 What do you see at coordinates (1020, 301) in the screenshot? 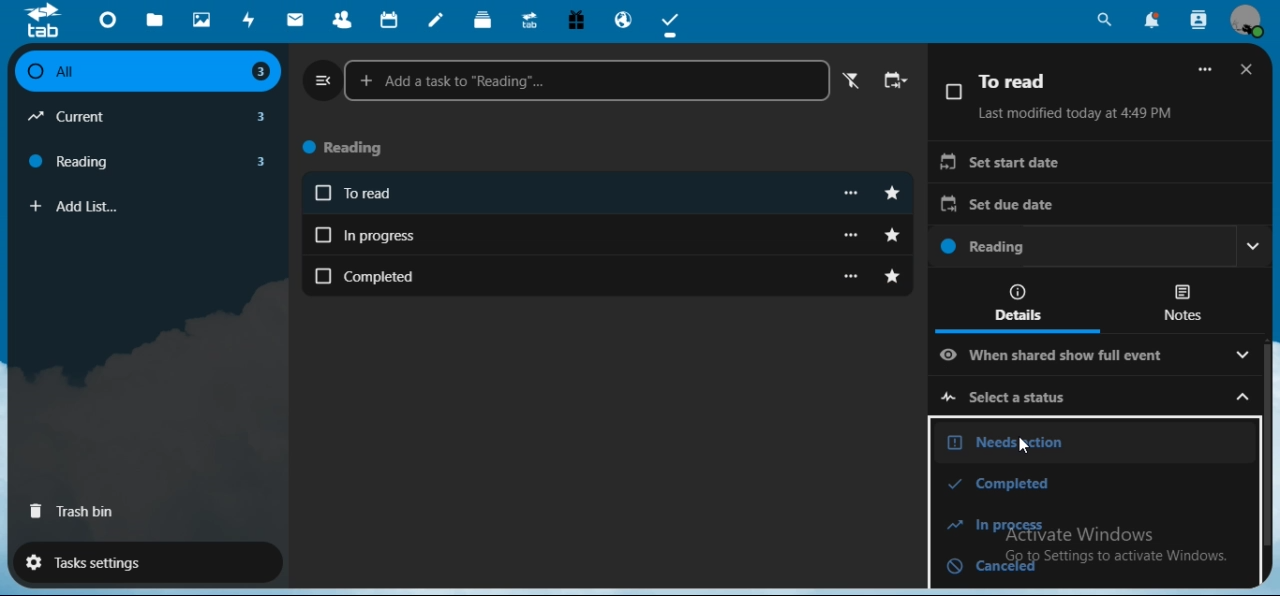
I see `details` at bounding box center [1020, 301].